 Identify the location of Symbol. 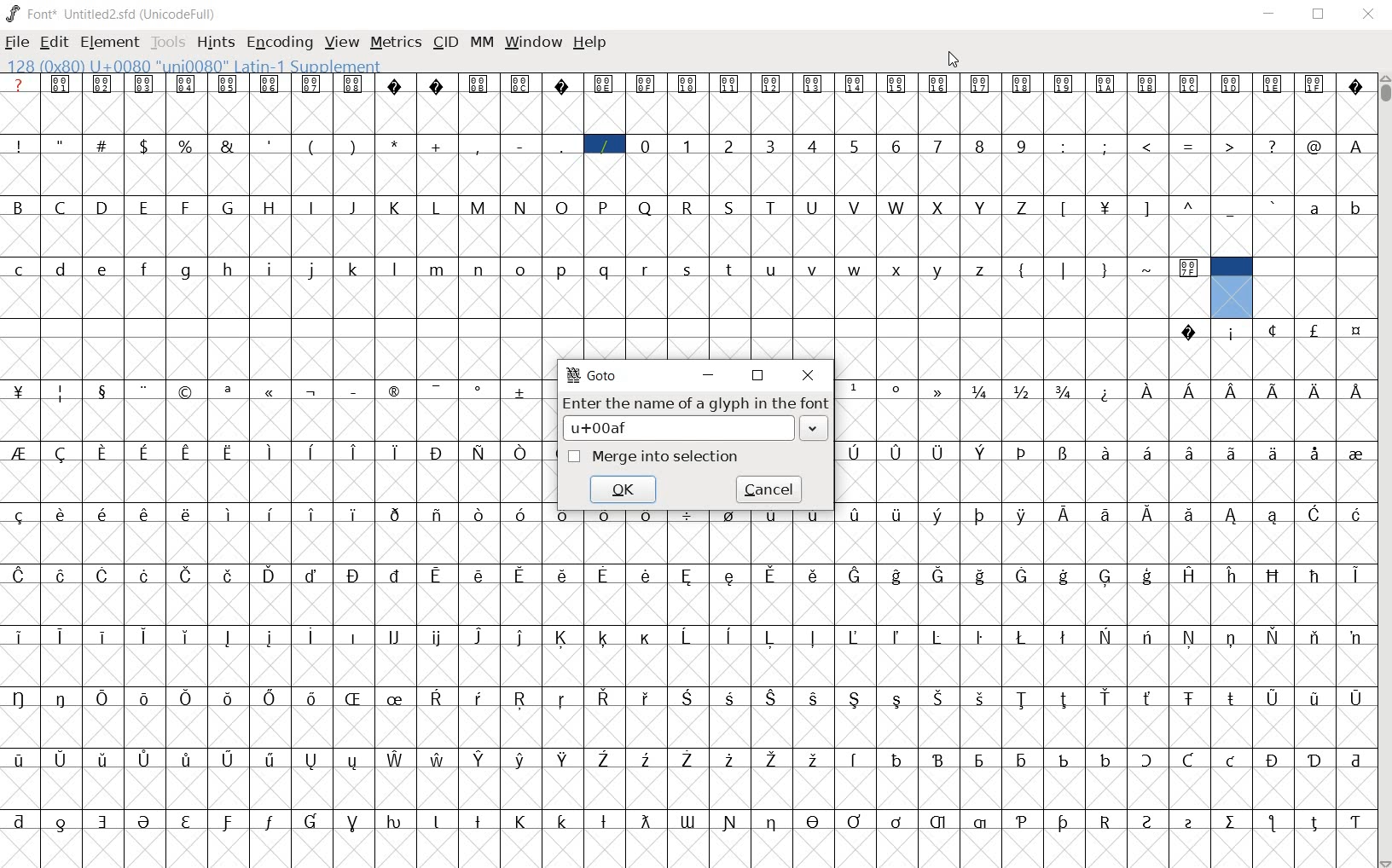
(481, 697).